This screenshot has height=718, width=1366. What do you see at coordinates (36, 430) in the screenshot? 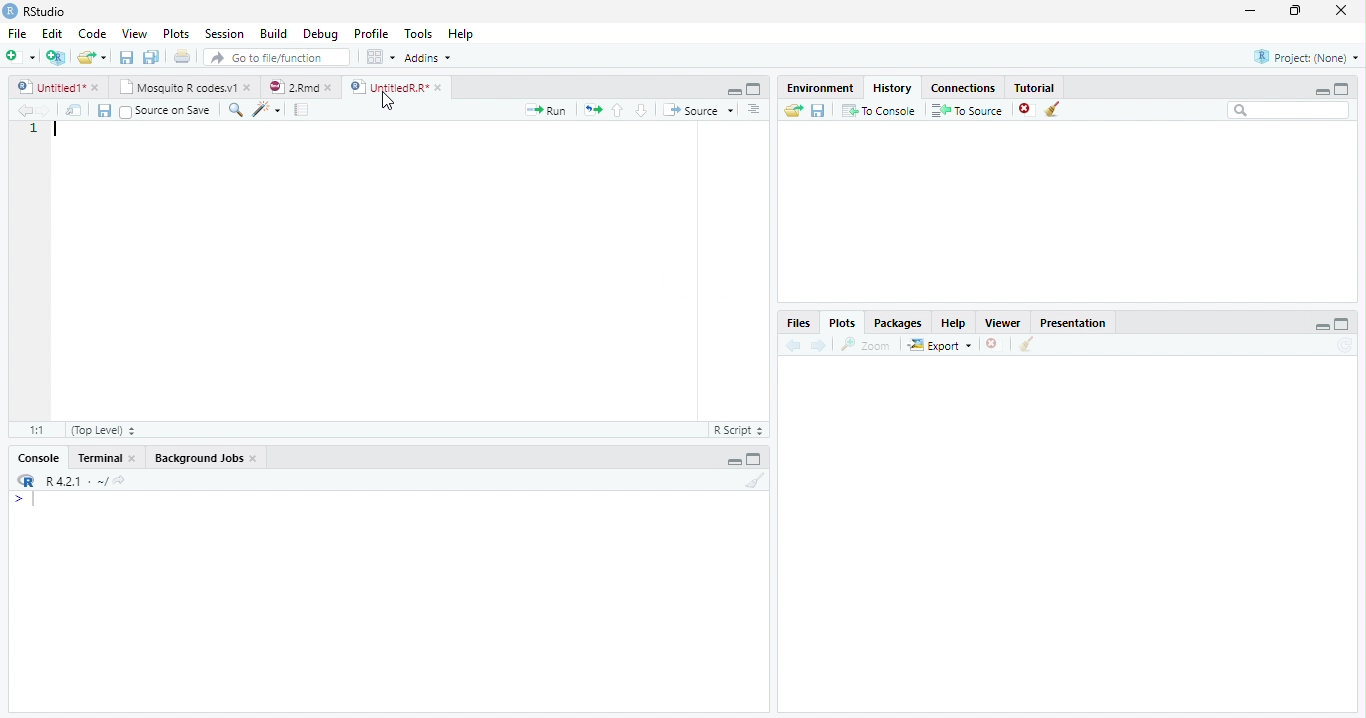
I see `1:1` at bounding box center [36, 430].